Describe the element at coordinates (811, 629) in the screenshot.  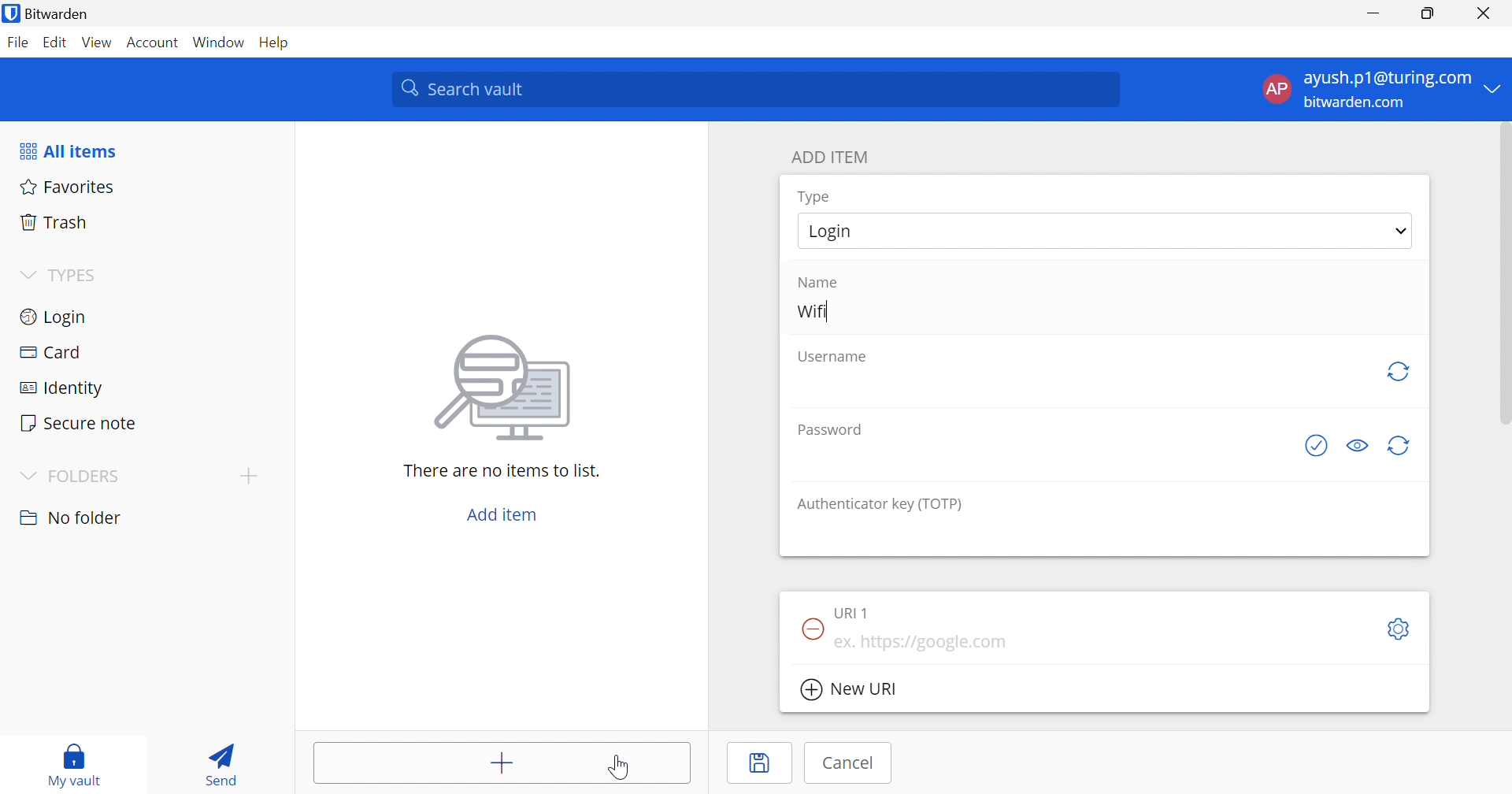
I see `Remove` at that location.